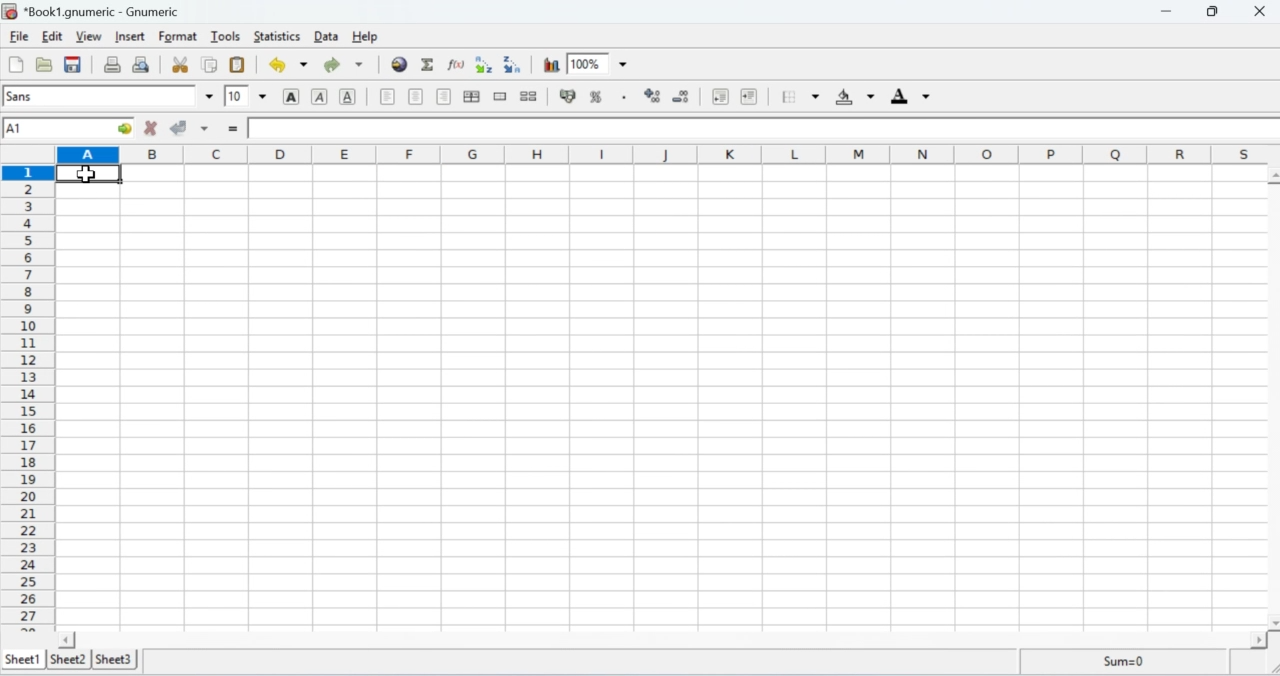  Describe the element at coordinates (189, 130) in the screenshot. I see `Accept change` at that location.